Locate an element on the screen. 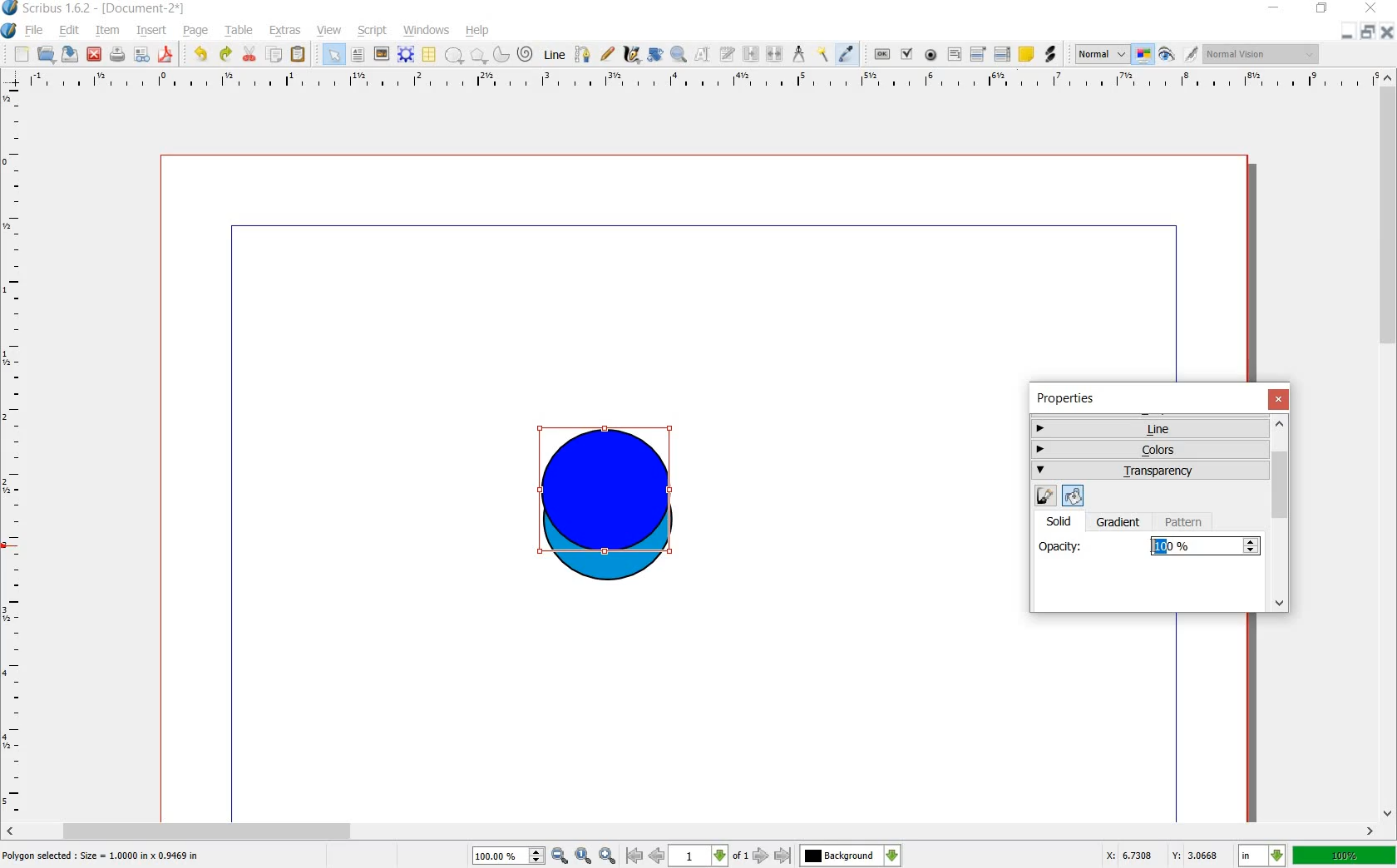 This screenshot has width=1397, height=868. page is located at coordinates (198, 31).